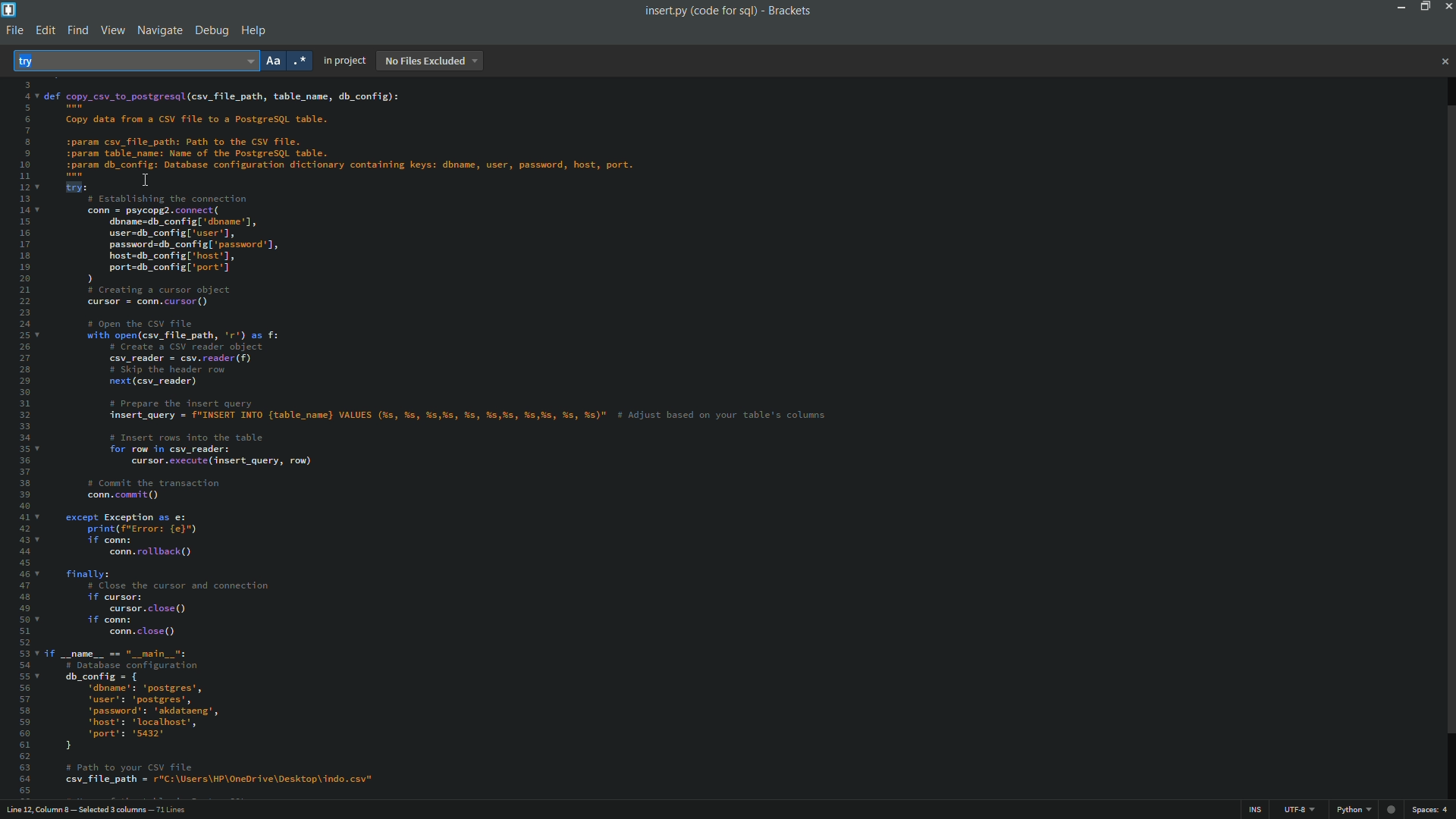 The width and height of the screenshot is (1456, 819). What do you see at coordinates (112, 30) in the screenshot?
I see `view menu` at bounding box center [112, 30].